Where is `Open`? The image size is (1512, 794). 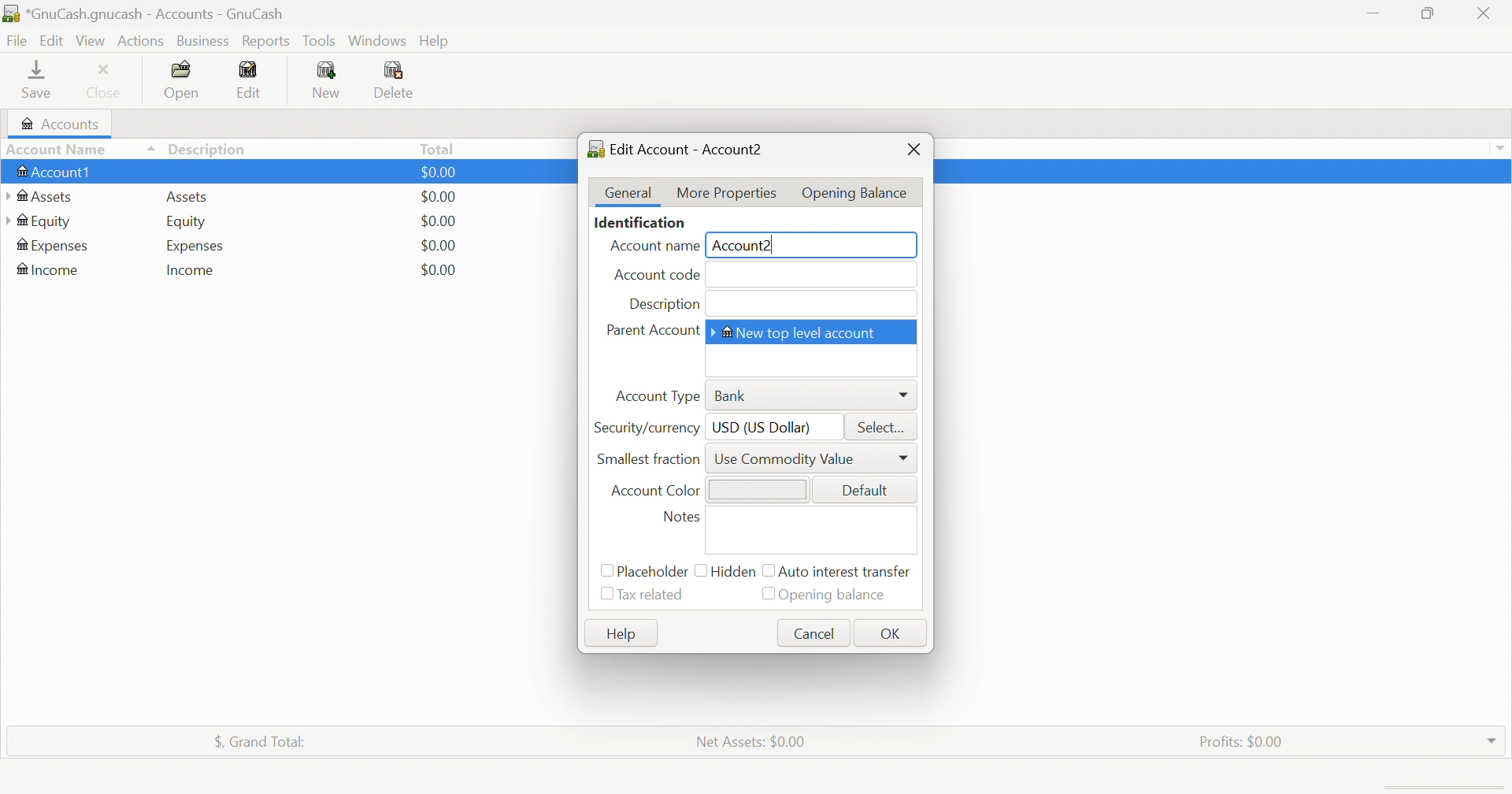 Open is located at coordinates (181, 78).